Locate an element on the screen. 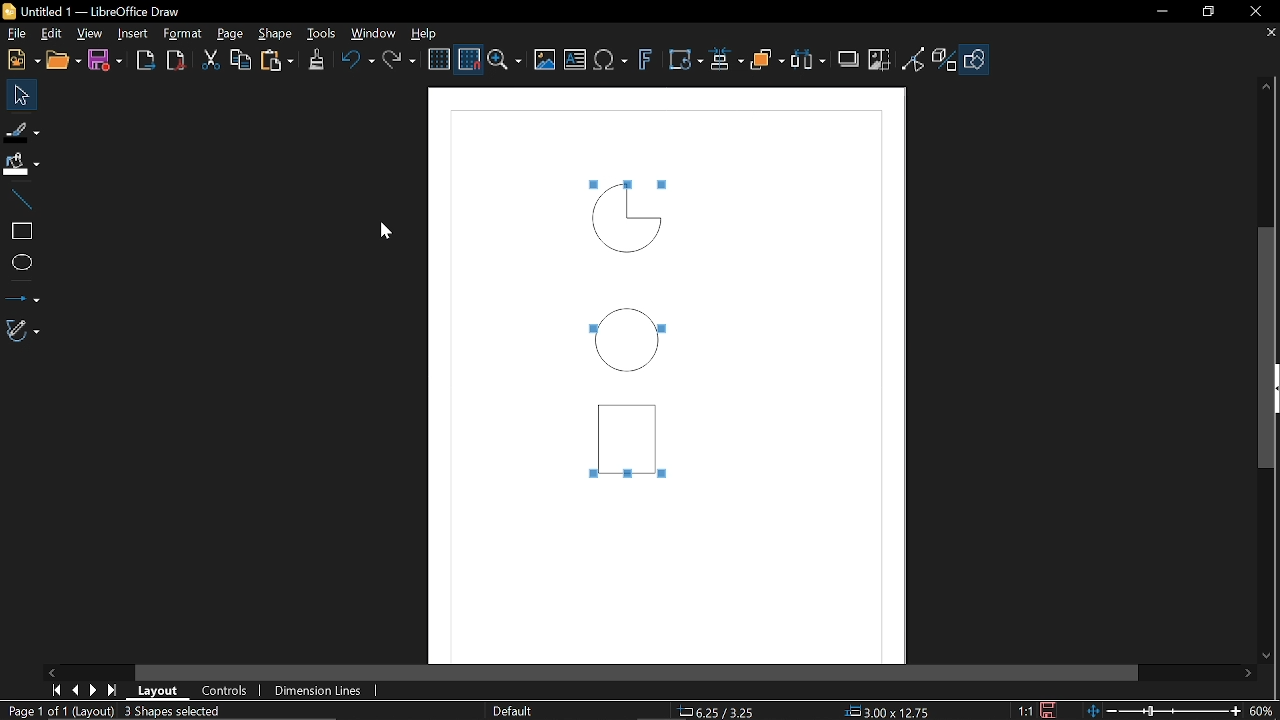  Curves and polygon is located at coordinates (22, 332).